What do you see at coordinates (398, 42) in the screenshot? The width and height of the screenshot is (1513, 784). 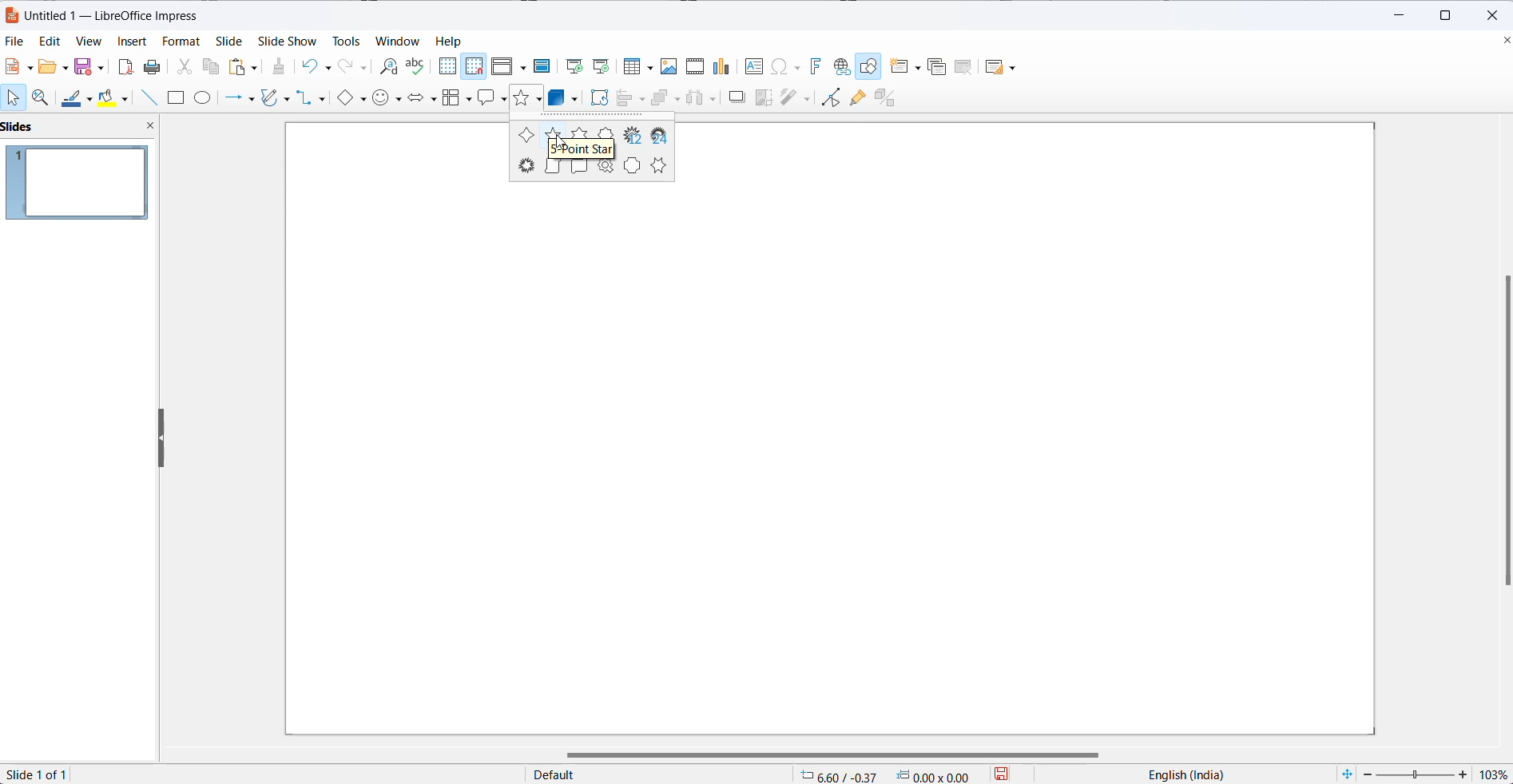 I see `window` at bounding box center [398, 42].